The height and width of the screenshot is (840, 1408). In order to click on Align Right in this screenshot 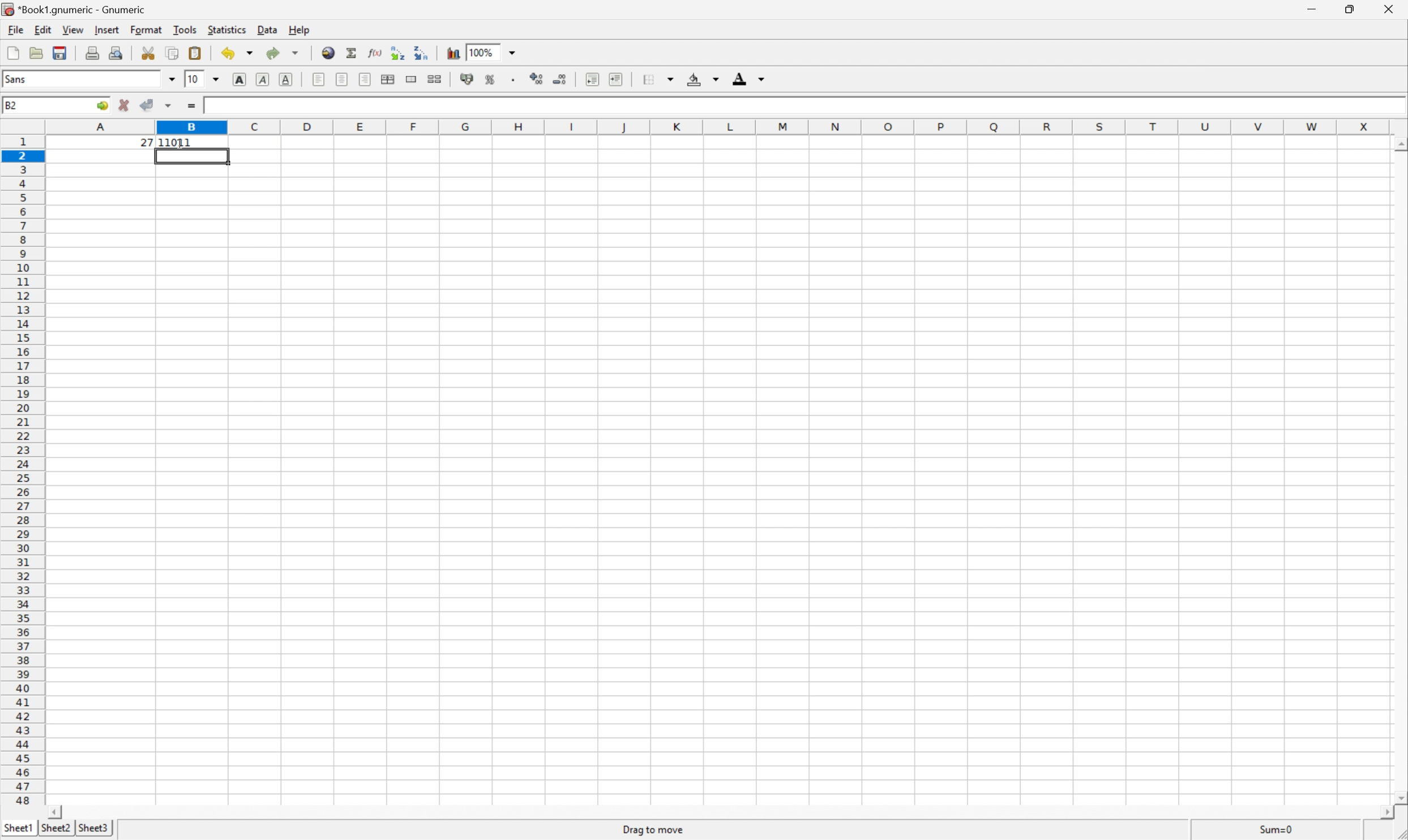, I will do `click(365, 79)`.